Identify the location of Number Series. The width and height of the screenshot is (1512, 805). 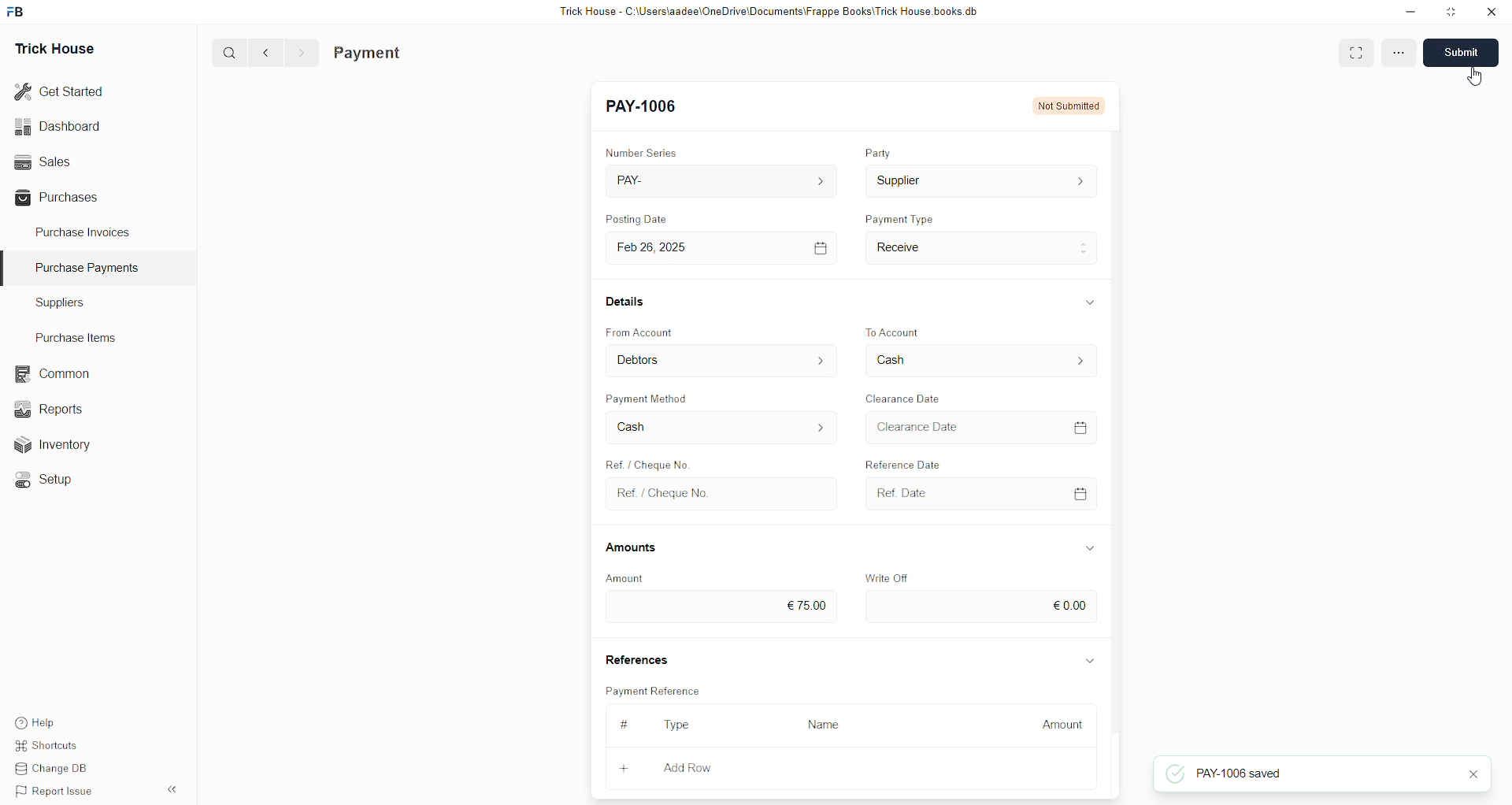
(641, 150).